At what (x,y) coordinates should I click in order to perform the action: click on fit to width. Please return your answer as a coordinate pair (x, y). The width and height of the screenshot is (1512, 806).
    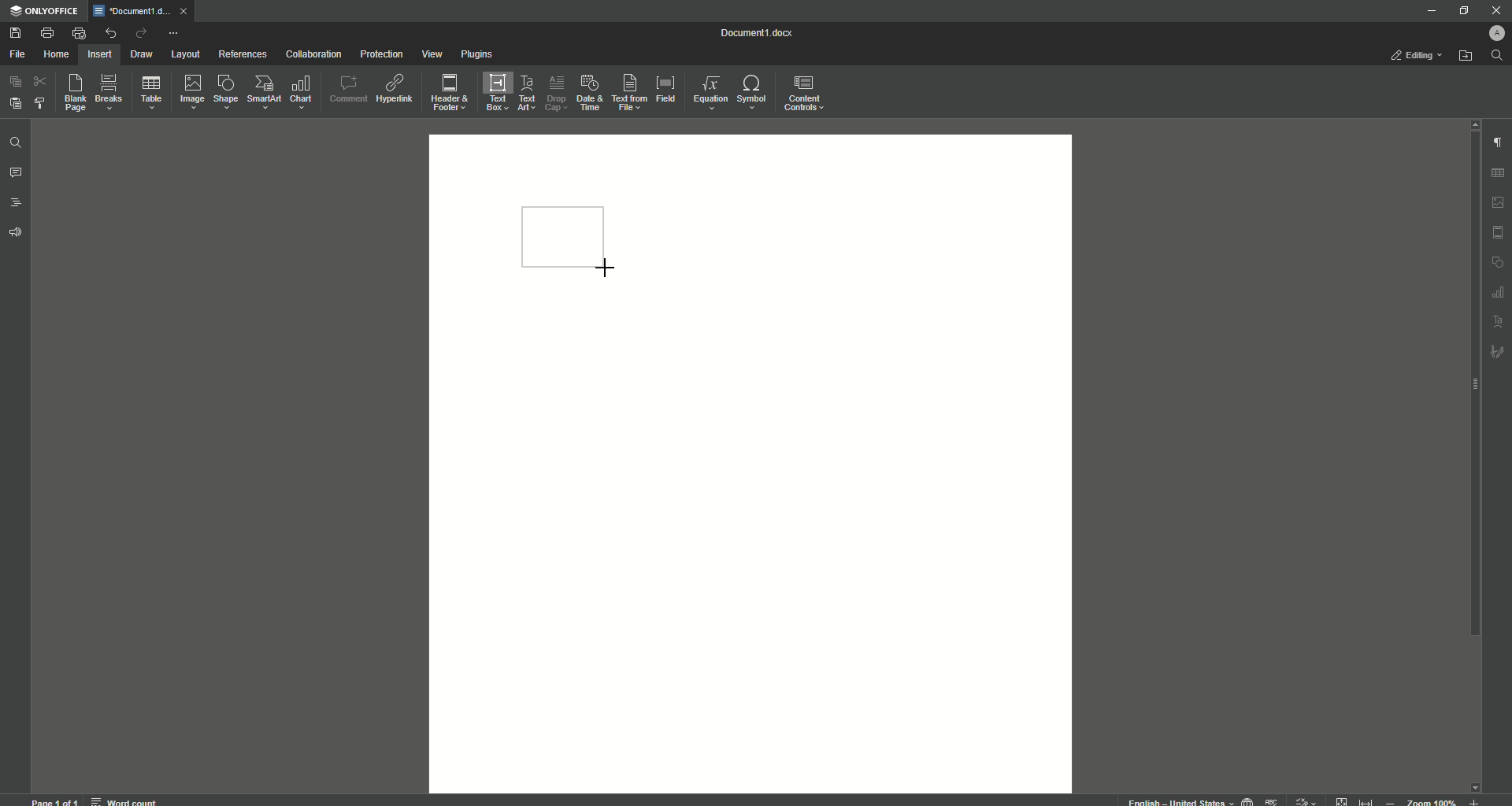
    Looking at the image, I should click on (1369, 800).